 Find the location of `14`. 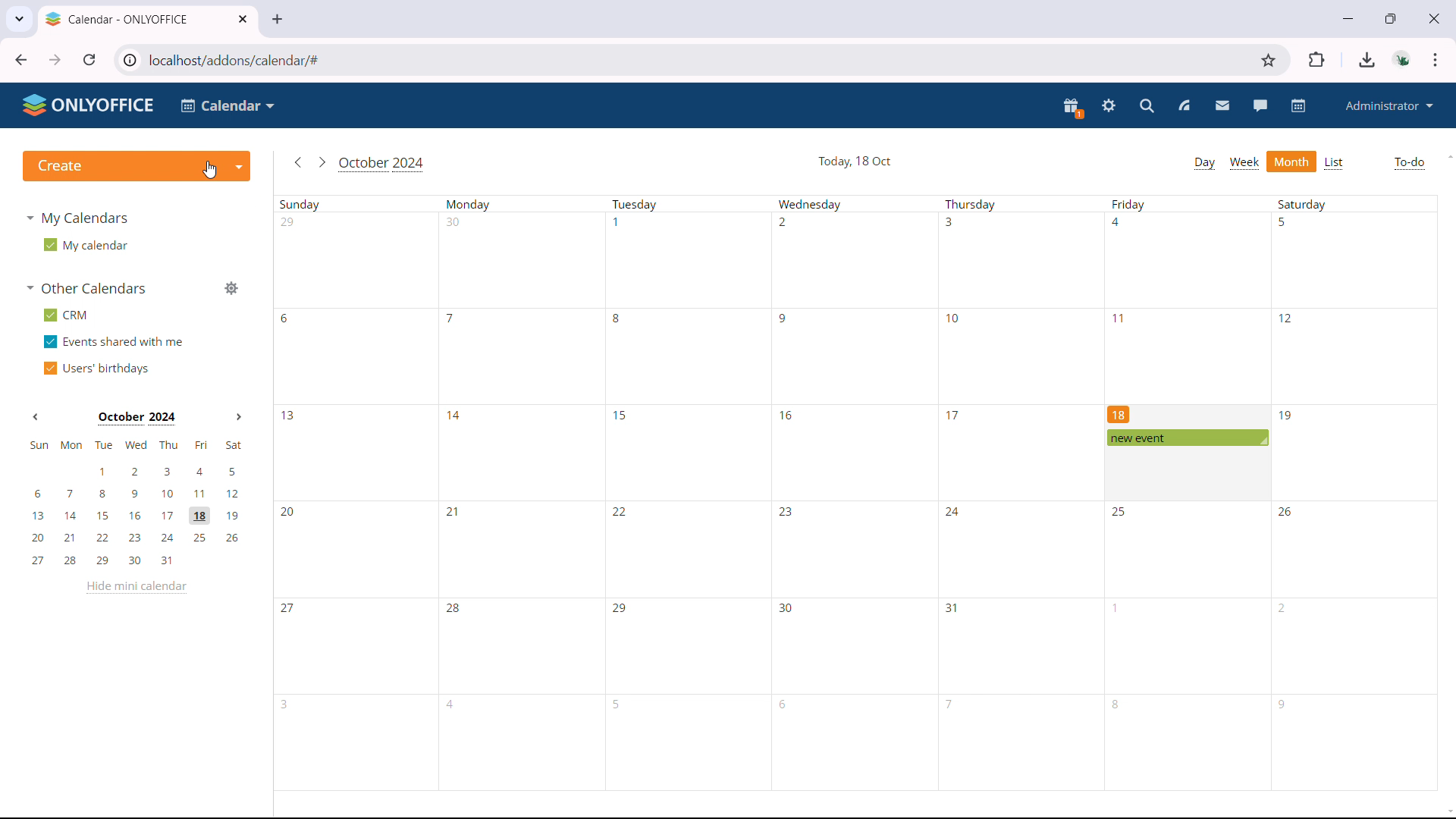

14 is located at coordinates (457, 416).